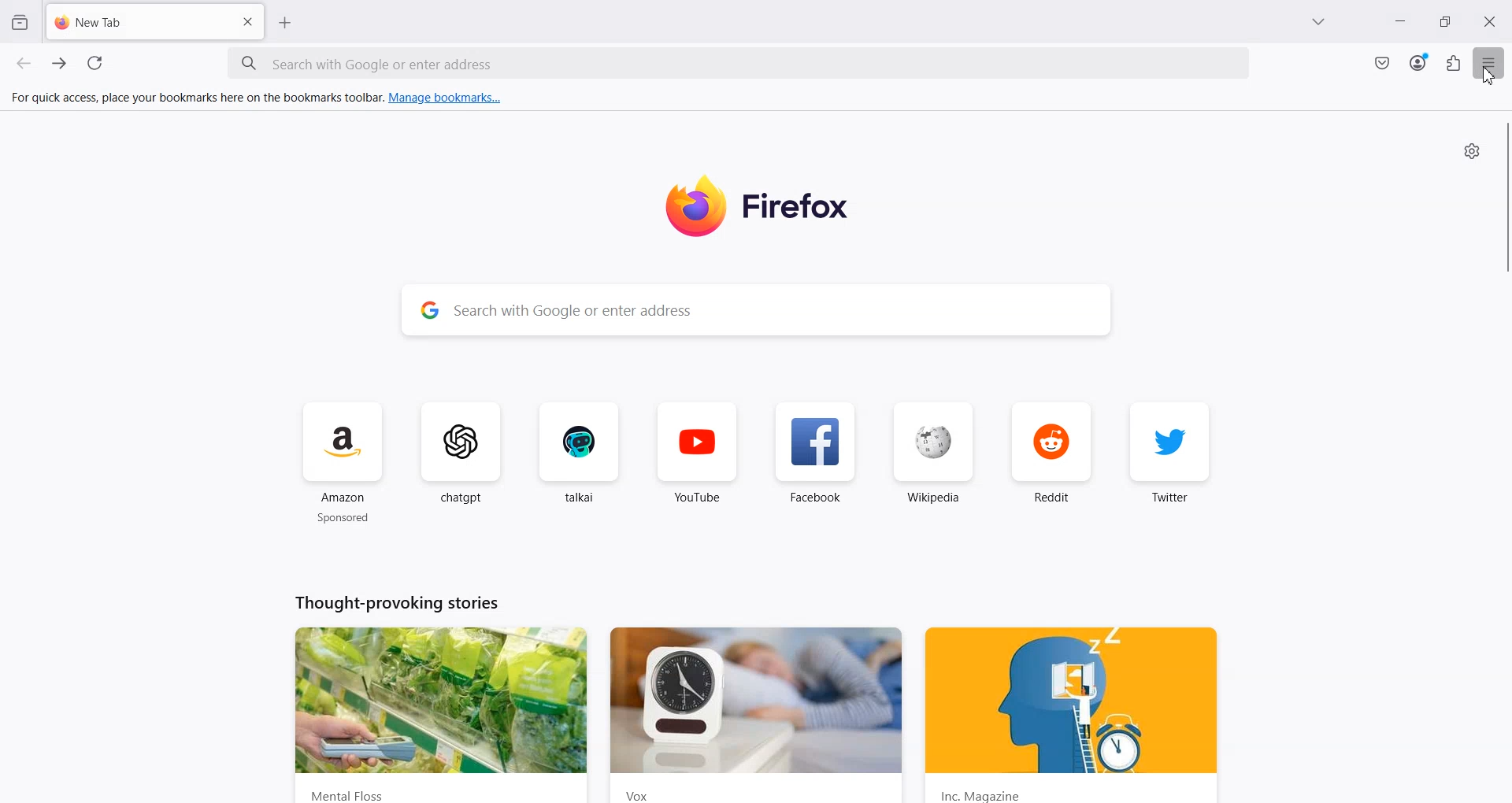 The image size is (1512, 803). What do you see at coordinates (1418, 63) in the screenshot?
I see `Account` at bounding box center [1418, 63].